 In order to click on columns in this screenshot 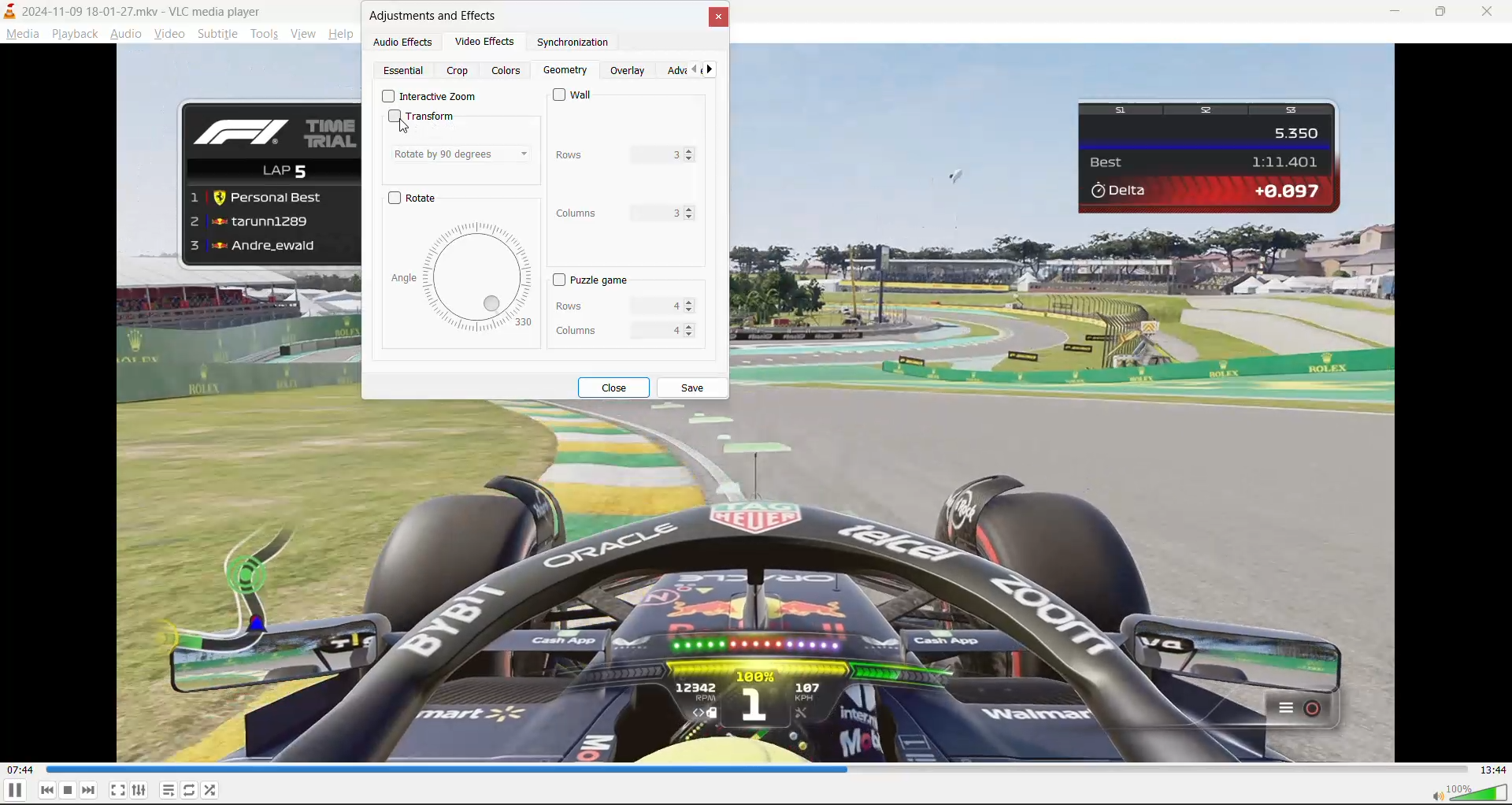, I will do `click(617, 331)`.